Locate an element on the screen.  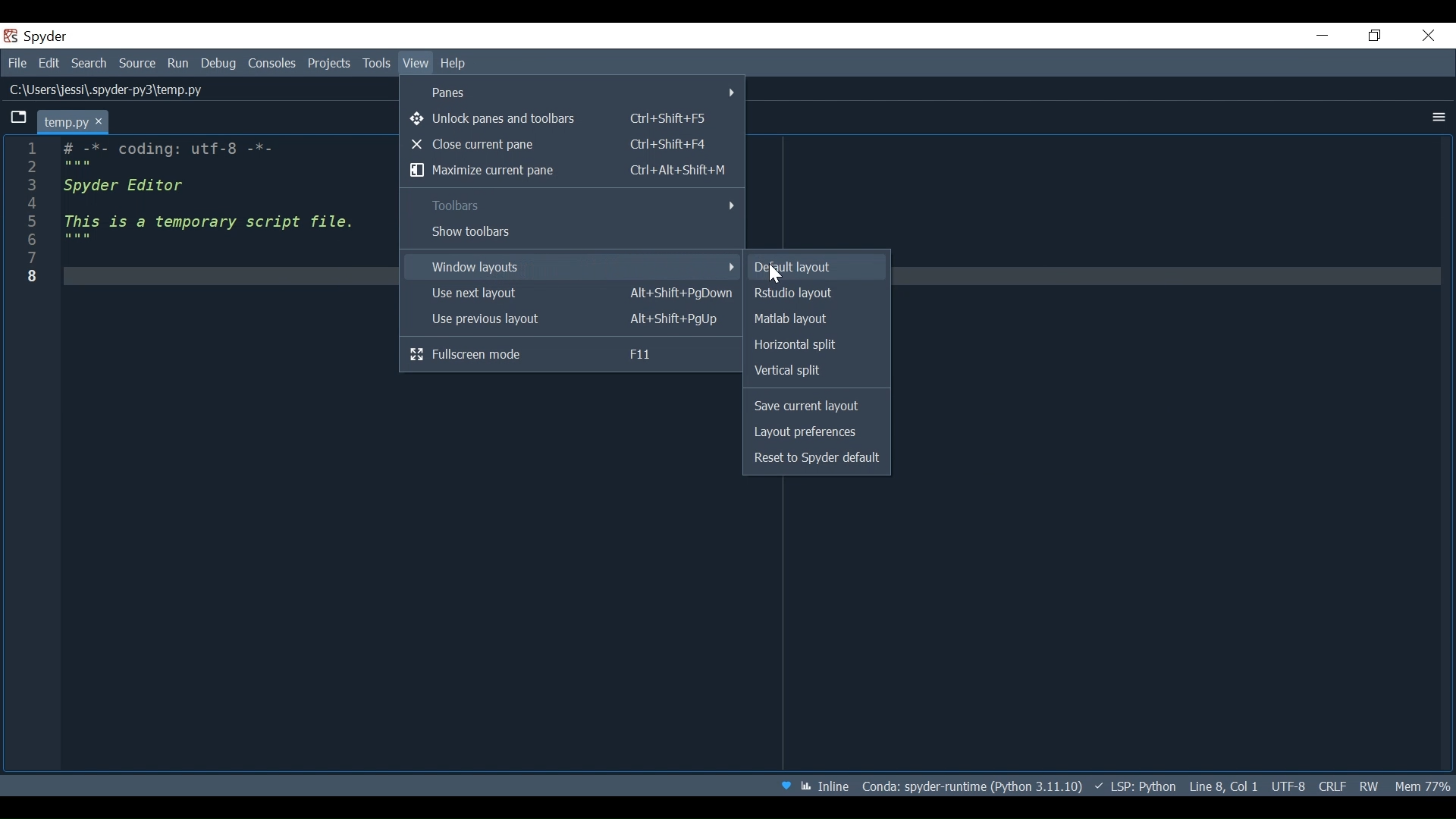
Close current pane is located at coordinates (572, 144).